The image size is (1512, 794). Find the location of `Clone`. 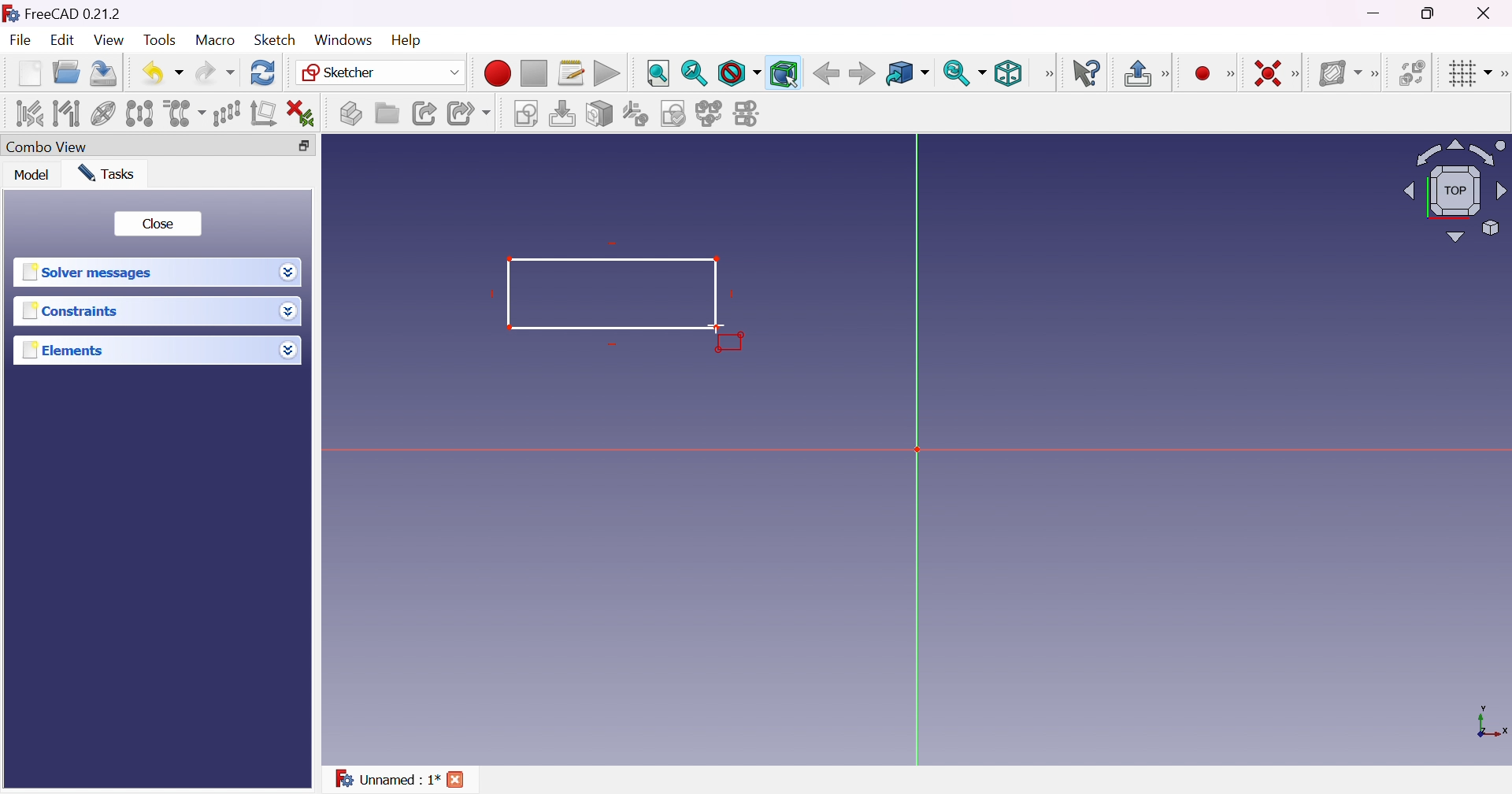

Clone is located at coordinates (183, 113).